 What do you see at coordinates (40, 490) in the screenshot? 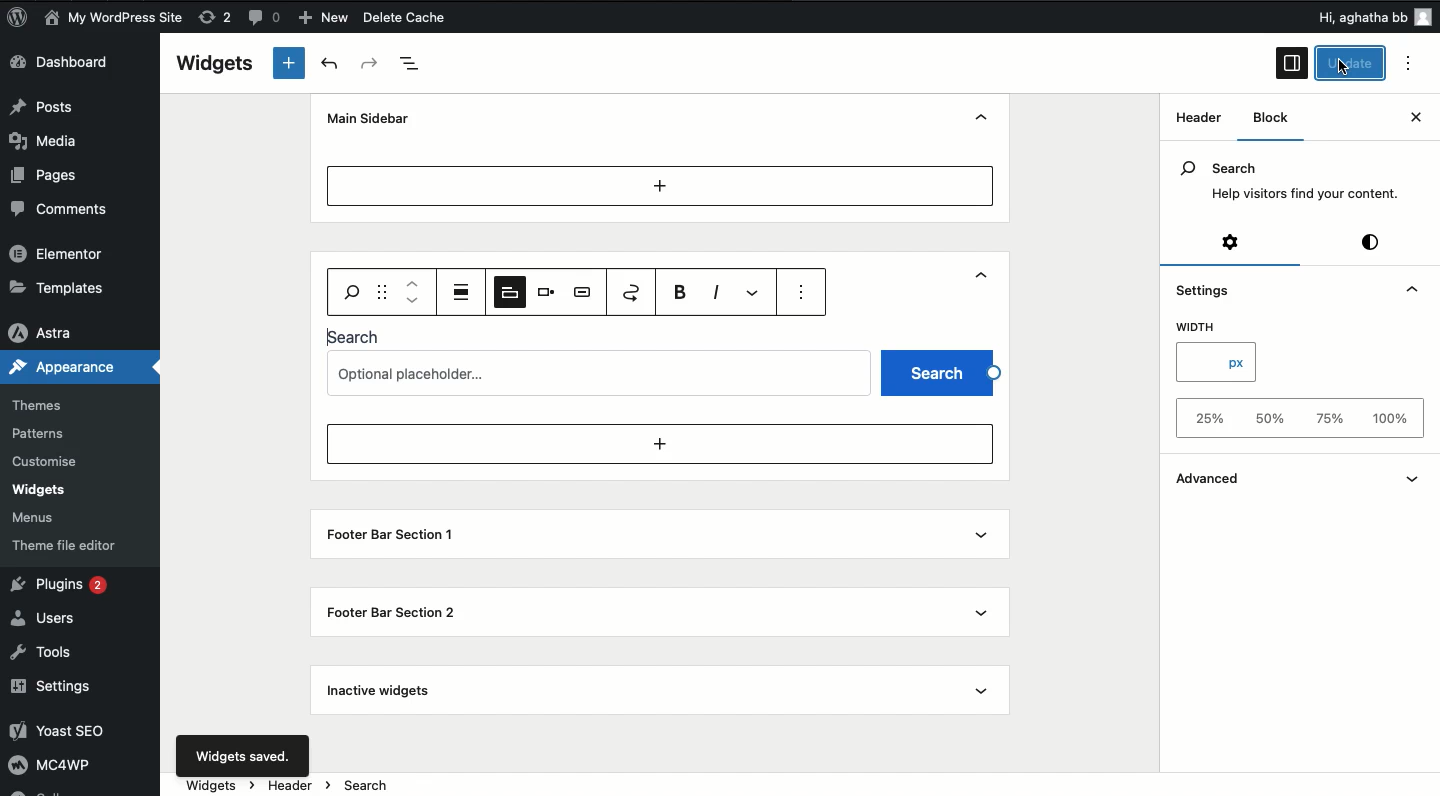
I see `Widgets` at bounding box center [40, 490].